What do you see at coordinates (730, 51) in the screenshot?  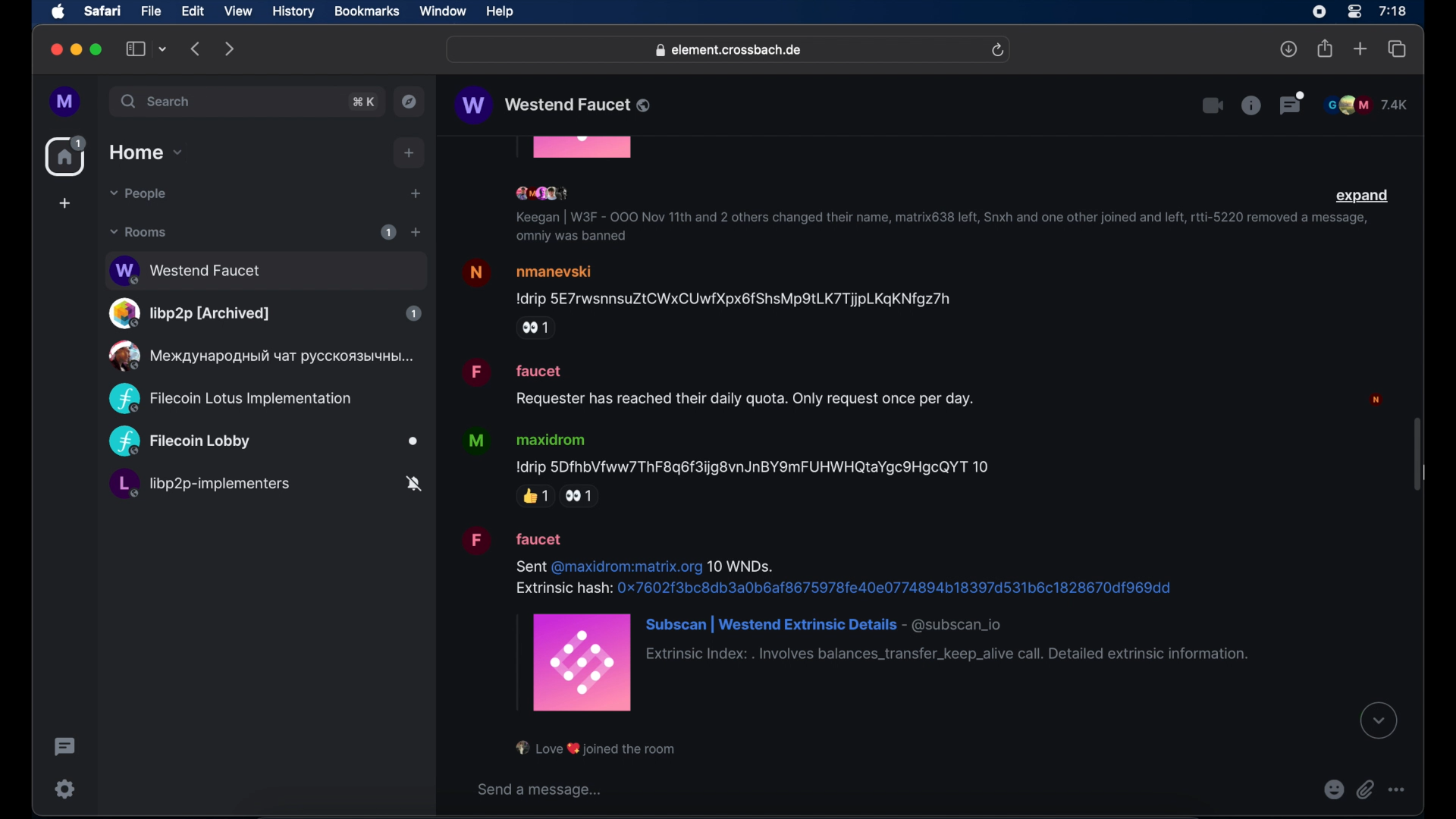 I see `web address` at bounding box center [730, 51].